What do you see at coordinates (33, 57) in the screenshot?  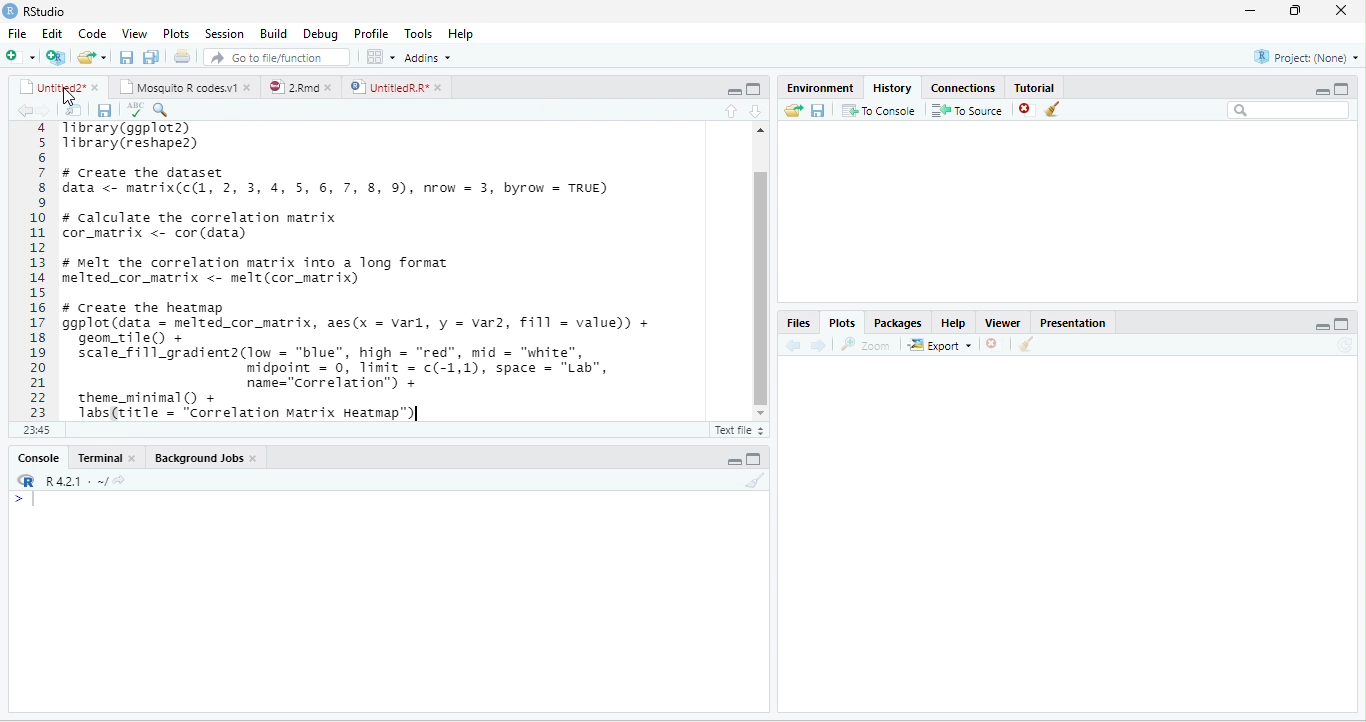 I see `add file` at bounding box center [33, 57].